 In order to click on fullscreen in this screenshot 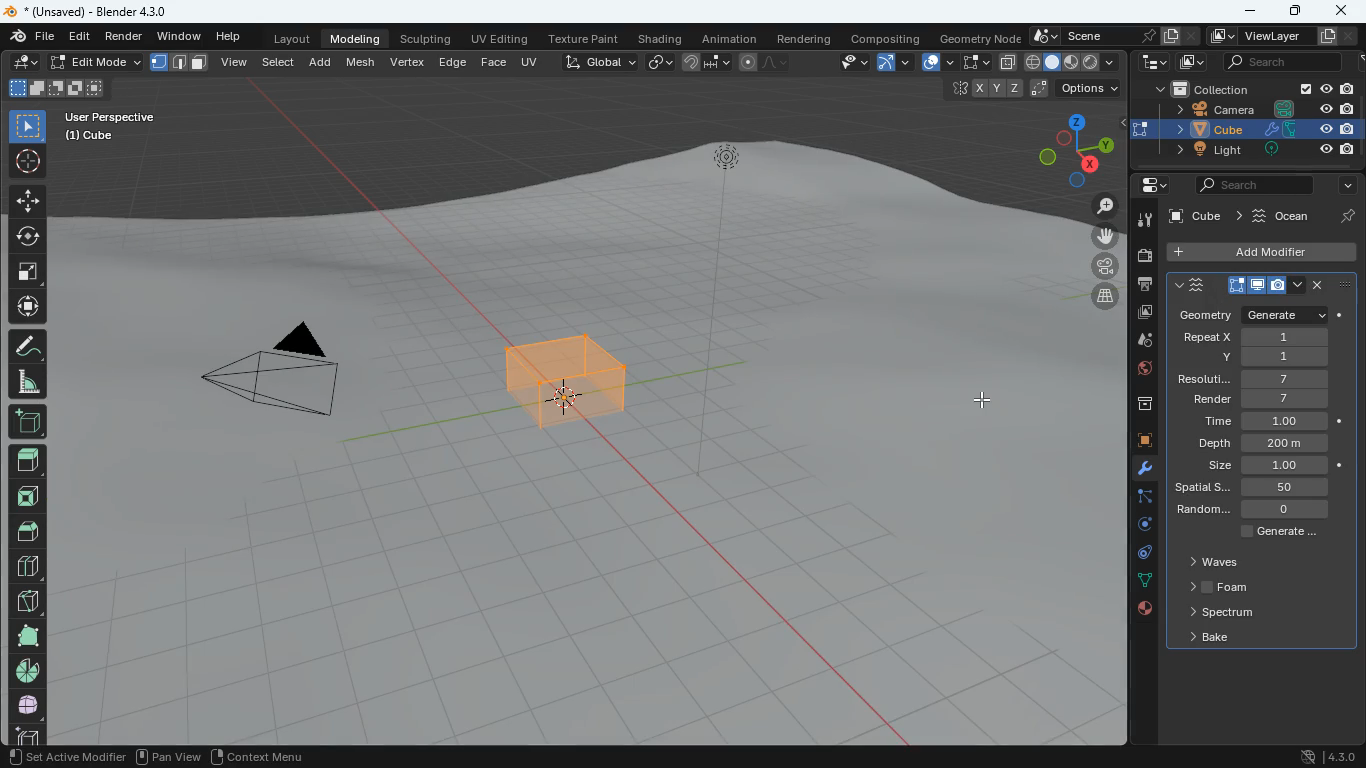, I will do `click(29, 269)`.